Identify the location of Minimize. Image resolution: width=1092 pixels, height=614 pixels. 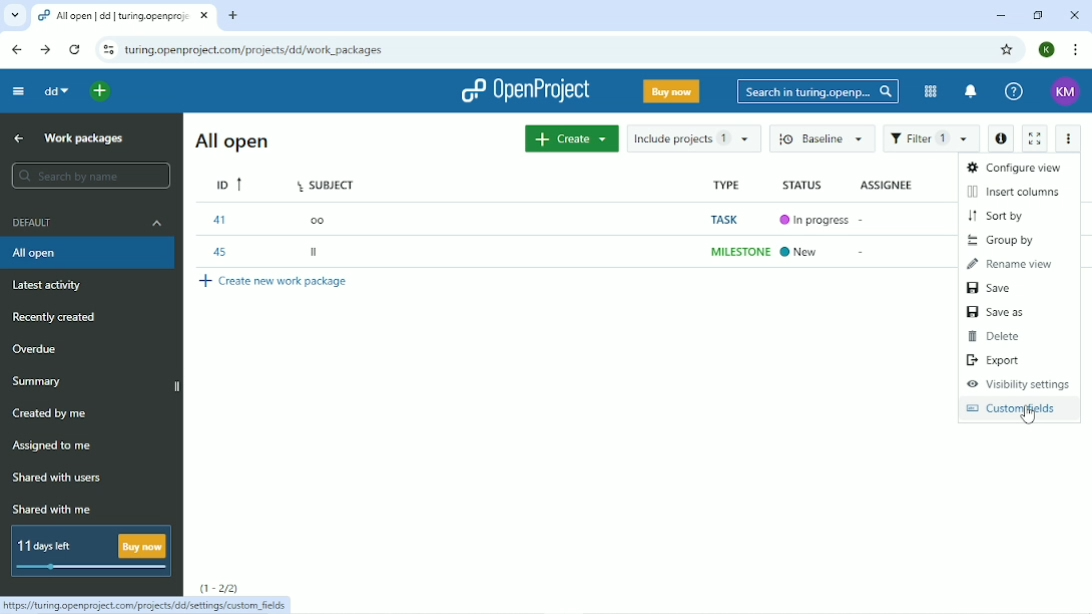
(1001, 16).